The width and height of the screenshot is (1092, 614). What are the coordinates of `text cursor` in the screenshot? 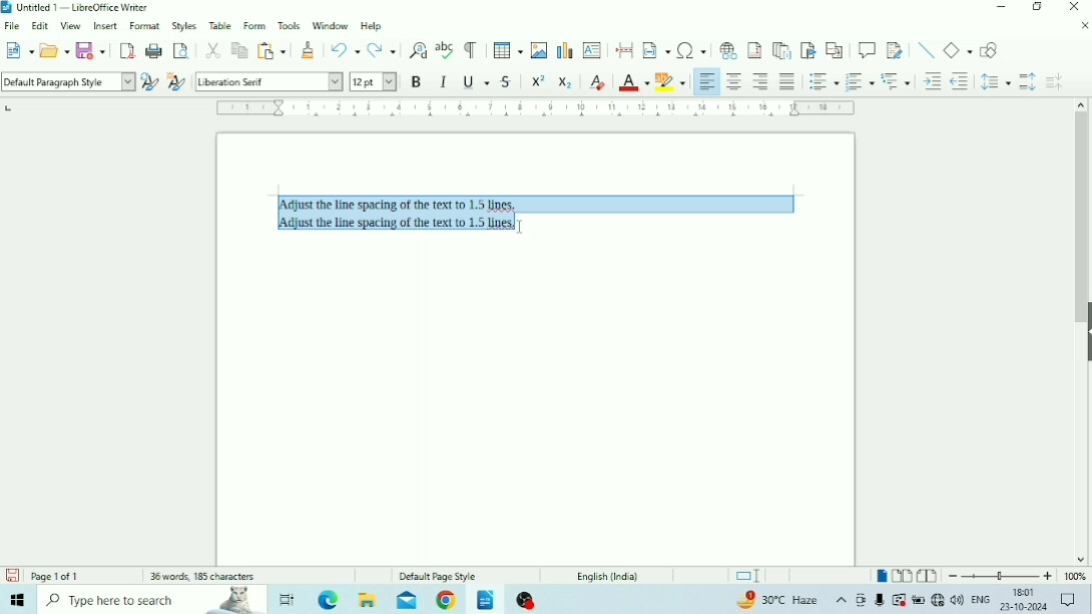 It's located at (523, 228).